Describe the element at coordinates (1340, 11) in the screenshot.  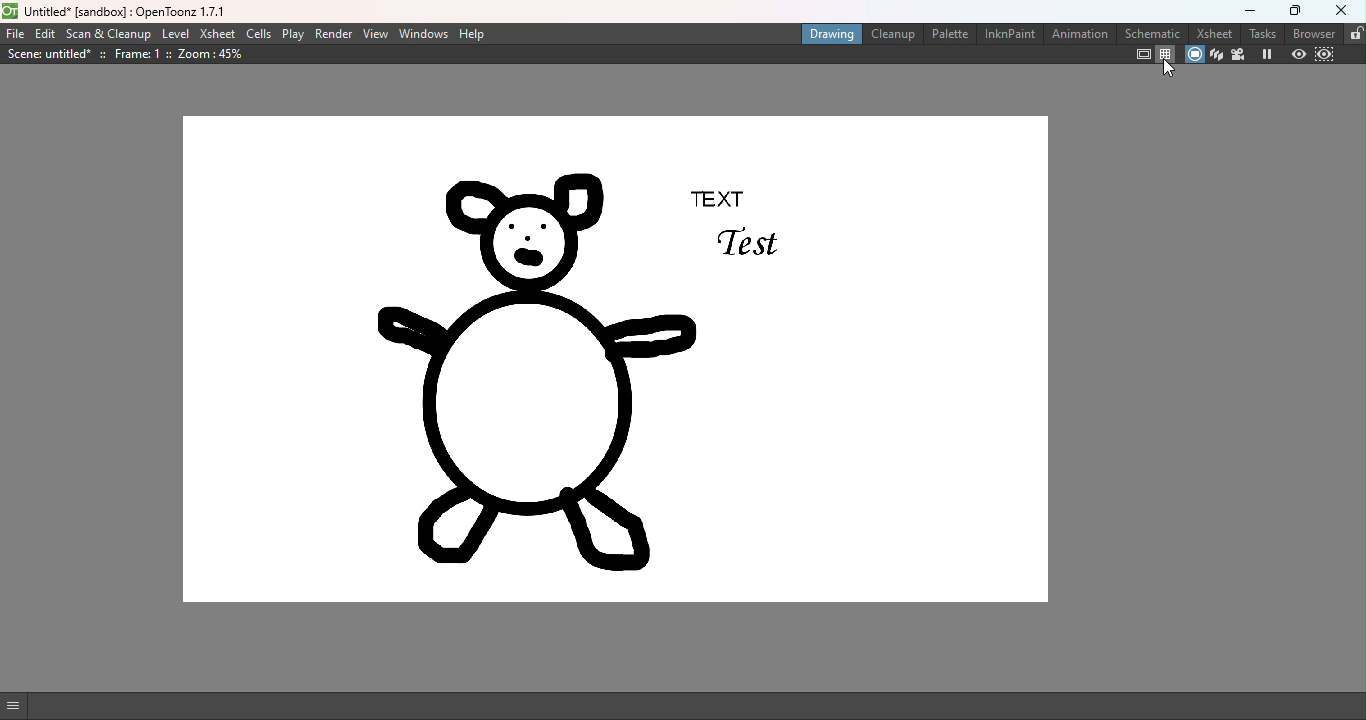
I see `Close` at that location.